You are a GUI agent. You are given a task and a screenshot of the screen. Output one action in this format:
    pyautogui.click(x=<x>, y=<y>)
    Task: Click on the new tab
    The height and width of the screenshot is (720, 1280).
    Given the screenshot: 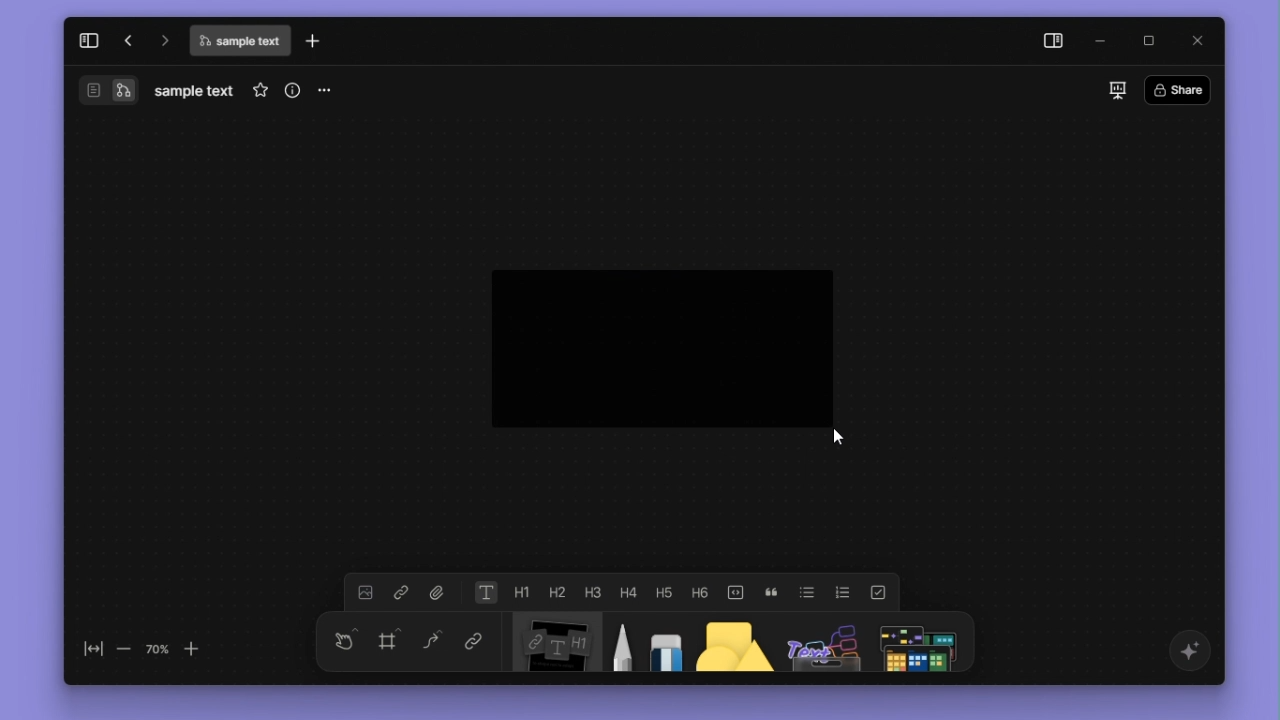 What is the action you would take?
    pyautogui.click(x=317, y=41)
    